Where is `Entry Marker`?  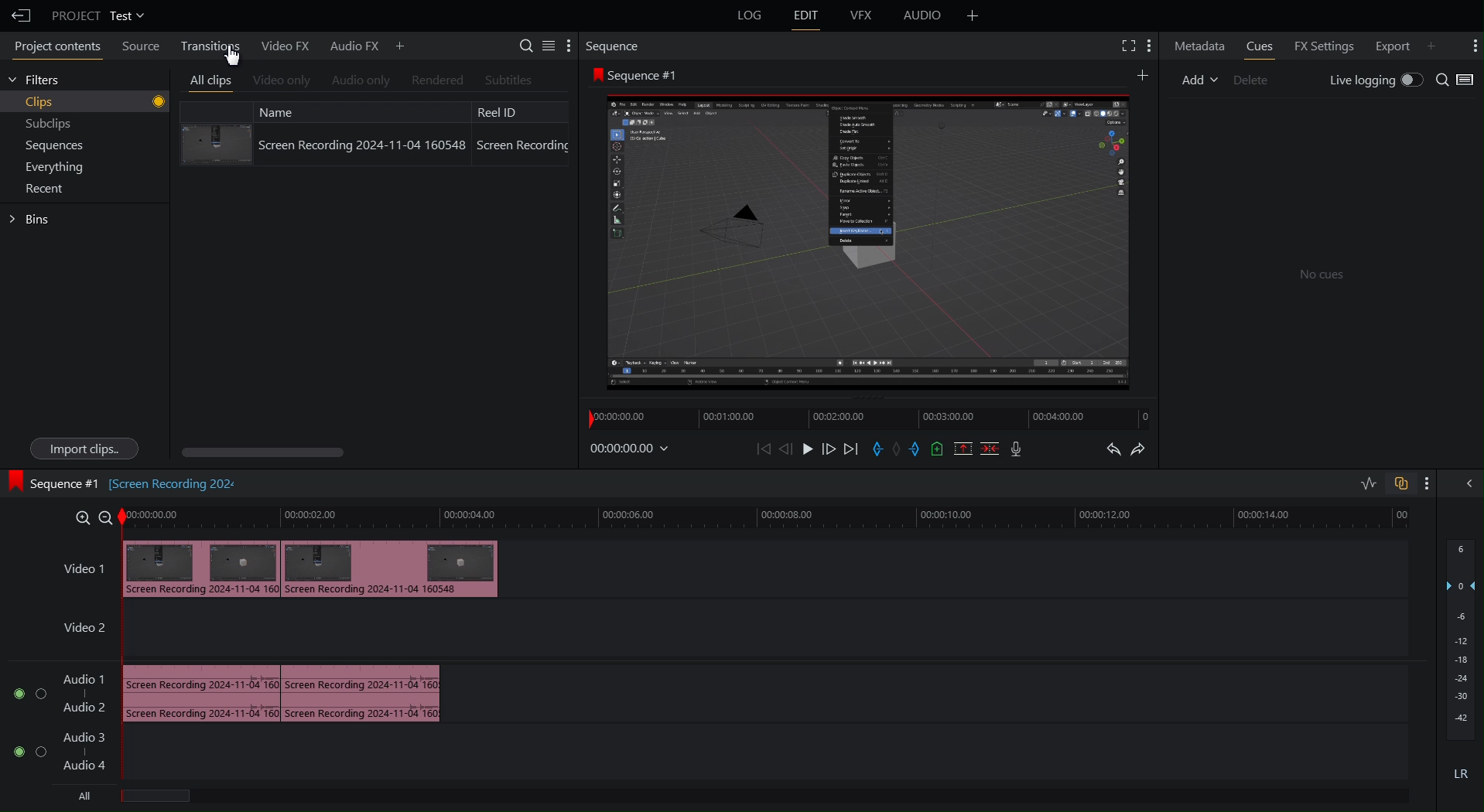 Entry Marker is located at coordinates (878, 450).